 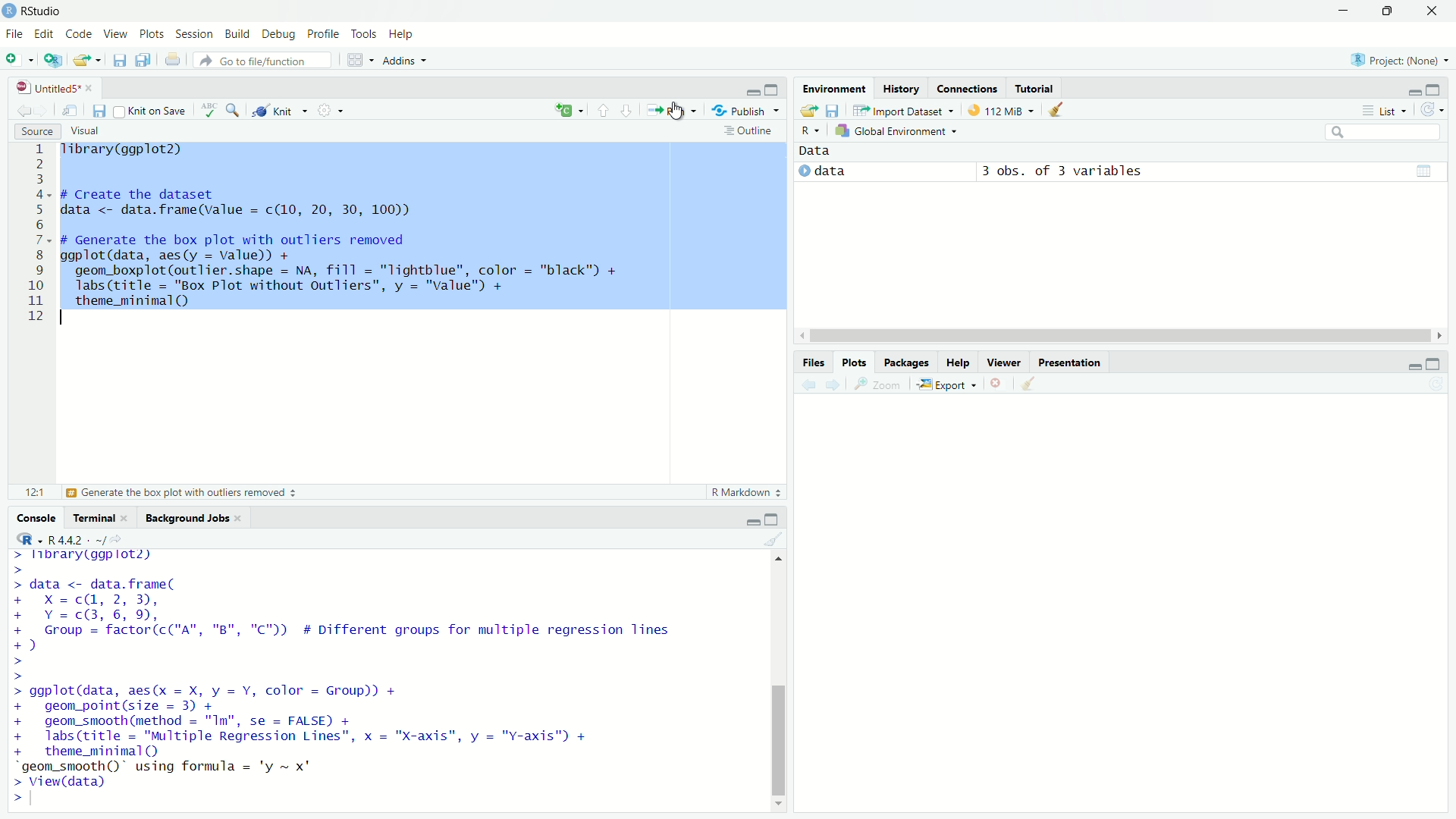 What do you see at coordinates (96, 519) in the screenshot?
I see `Terminal` at bounding box center [96, 519].